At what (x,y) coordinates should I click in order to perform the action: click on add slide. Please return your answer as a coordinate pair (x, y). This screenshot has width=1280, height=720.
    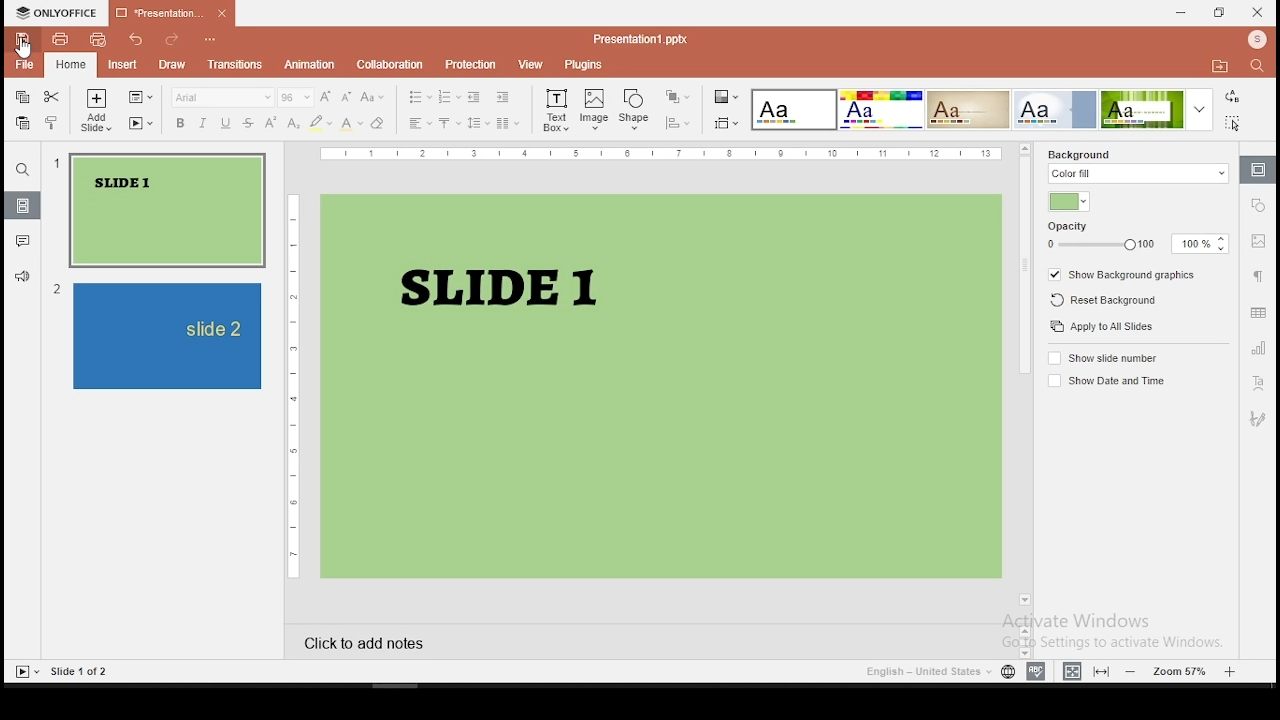
    Looking at the image, I should click on (95, 98).